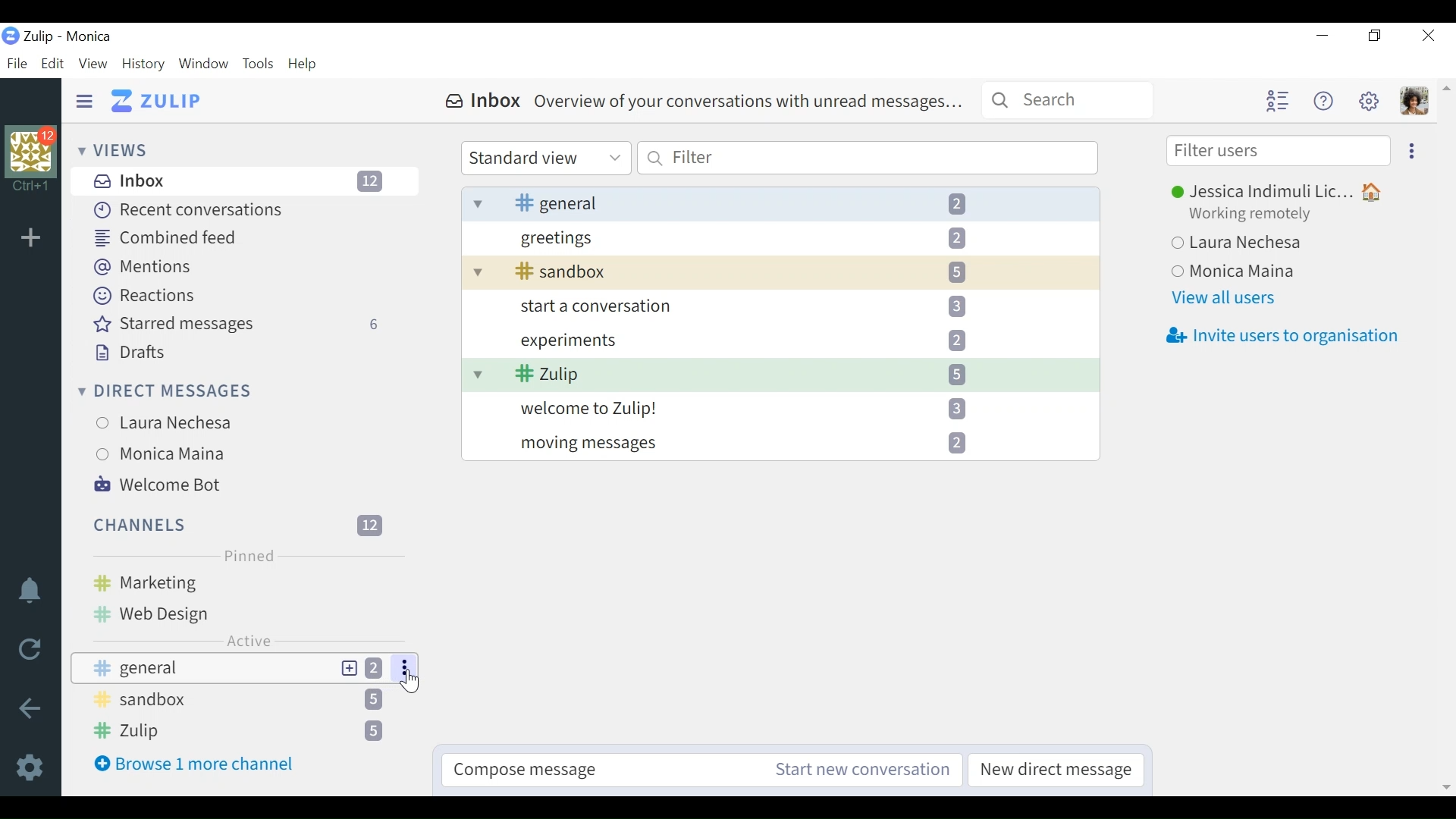 The image size is (1456, 819). What do you see at coordinates (1282, 337) in the screenshot?
I see `Invite users to organisation` at bounding box center [1282, 337].